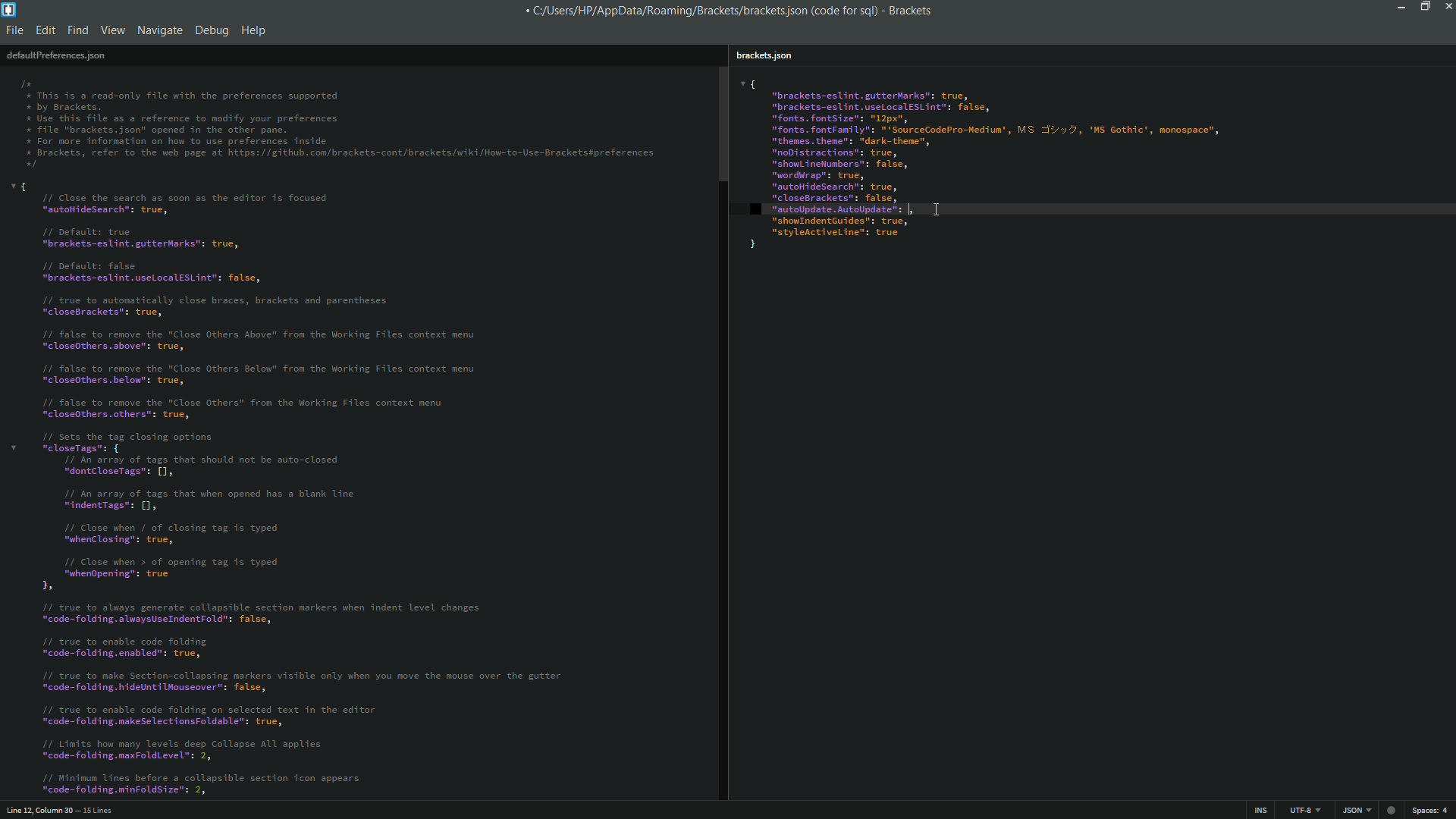 This screenshot has height=819, width=1456. What do you see at coordinates (1091, 162) in the screenshot?
I see `{“brackets-eslint. gutterMarks": true,"brackets-eslint.useLocalESLint": false,“fonts. fontsize": "2px","fonts. fontFamily": "'SourceCodePro-Medium', MS =i/y 2, 'MS Gothic’, monospace",“themes. theme": "dark-thene",“noDistractions": true,“shoul inetumbers": false,“wordwrap": true,“autoitidesearch®; true,"closeBrackets": false,“autoUpdate. AutoUpdate": falsd]“showlndentGuides": true,“styleActiveline"s true}` at bounding box center [1091, 162].